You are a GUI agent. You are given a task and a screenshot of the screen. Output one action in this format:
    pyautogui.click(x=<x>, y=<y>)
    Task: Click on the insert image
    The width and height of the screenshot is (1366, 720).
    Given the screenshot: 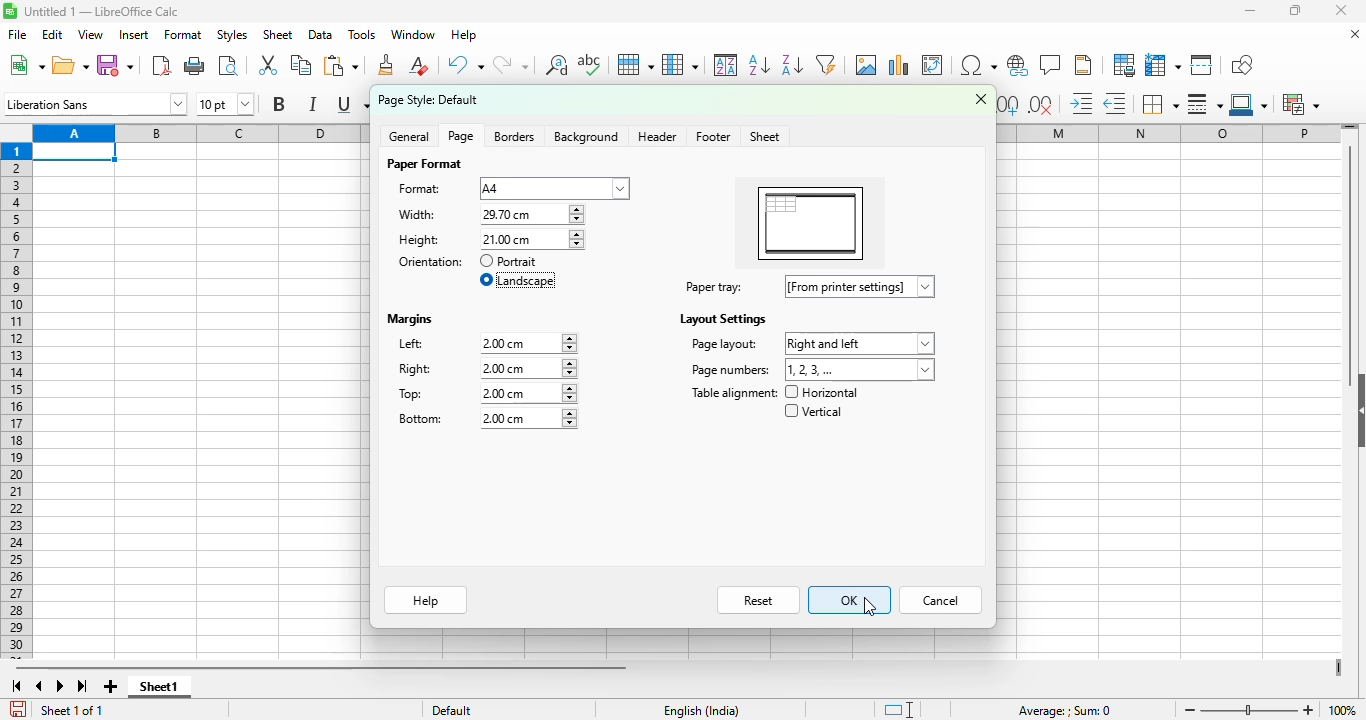 What is the action you would take?
    pyautogui.click(x=867, y=65)
    